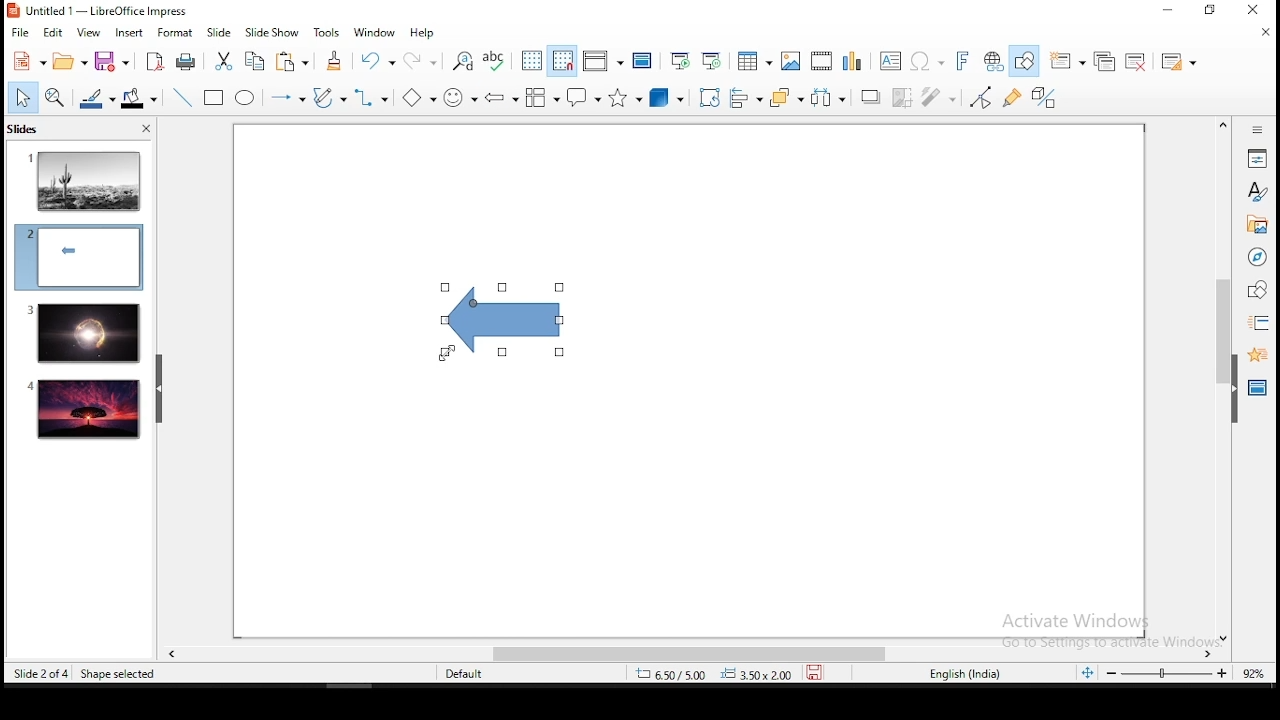 The width and height of the screenshot is (1280, 720). Describe the element at coordinates (681, 654) in the screenshot. I see `scroll bar` at that location.